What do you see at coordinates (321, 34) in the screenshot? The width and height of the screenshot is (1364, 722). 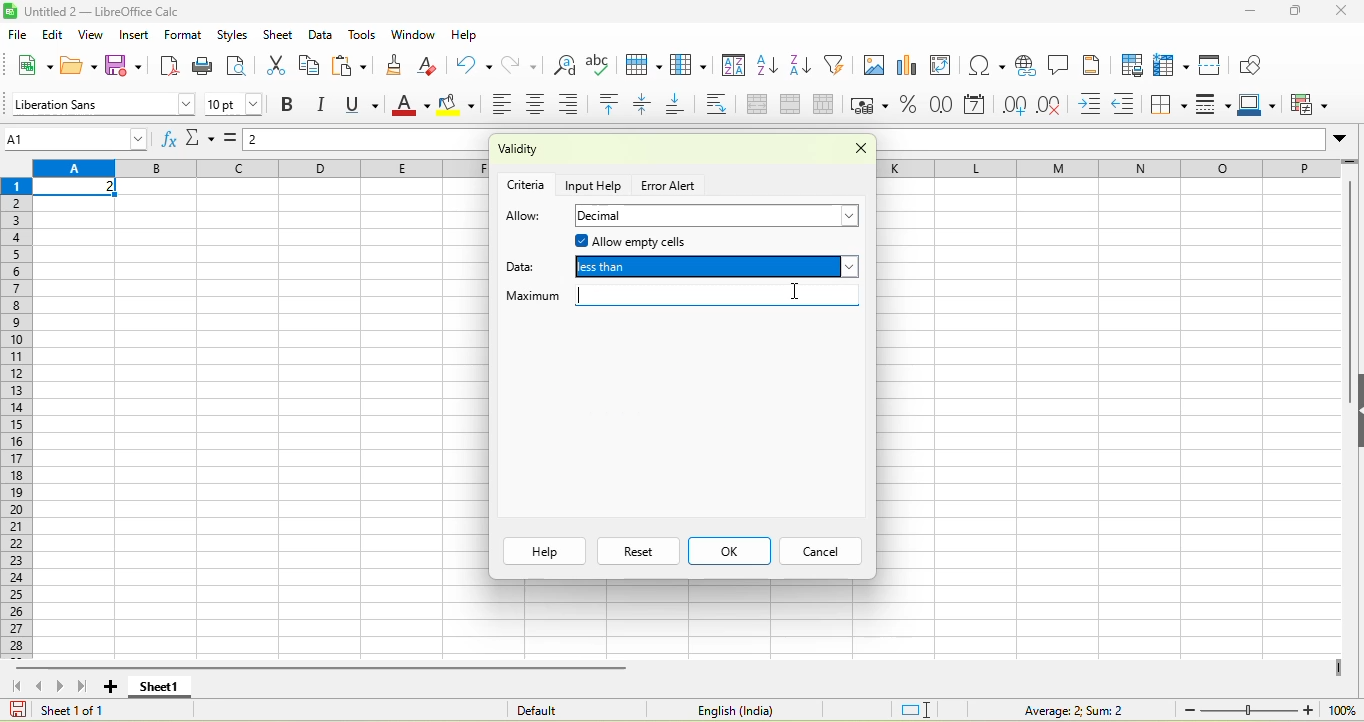 I see `data` at bounding box center [321, 34].